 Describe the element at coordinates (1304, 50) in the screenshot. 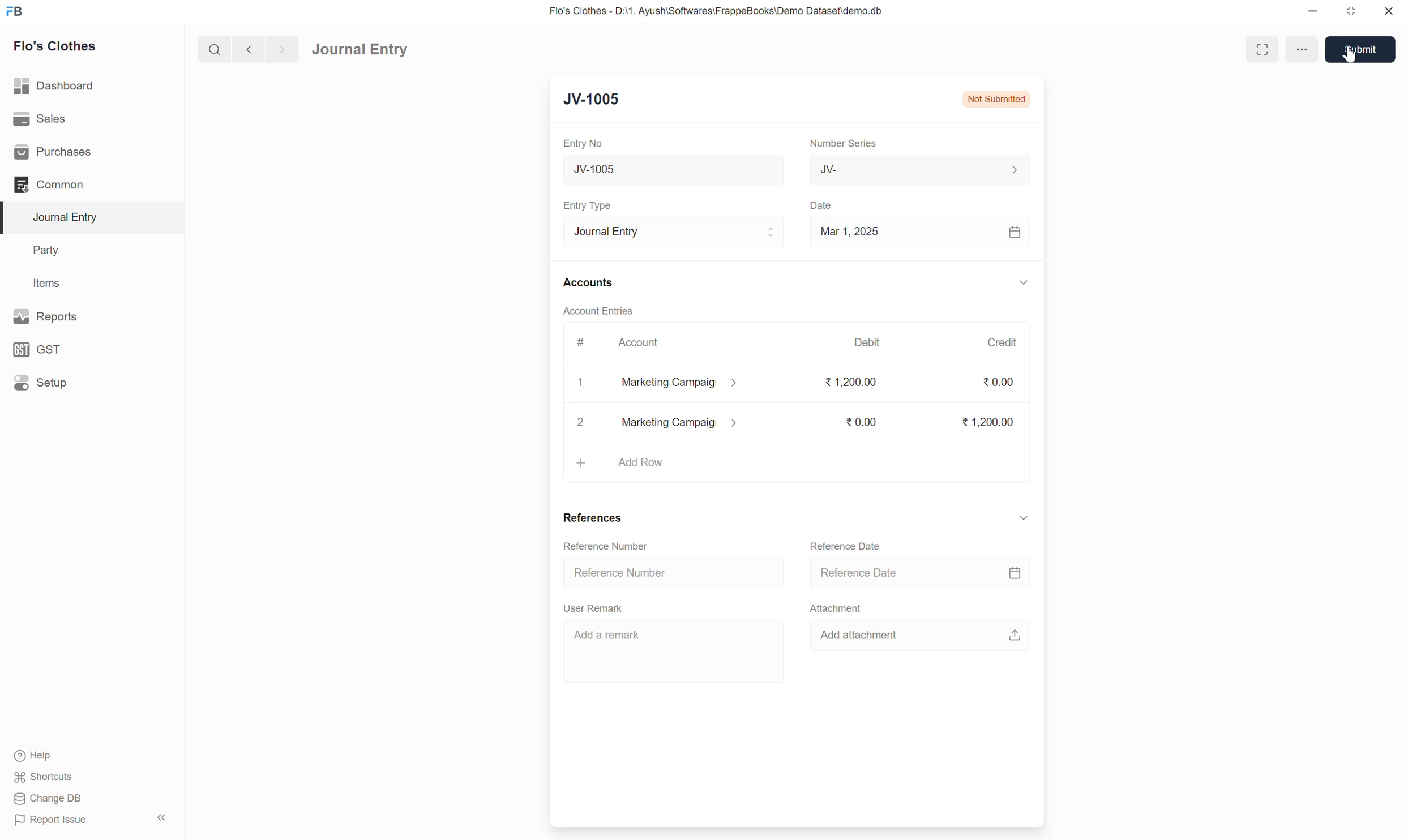

I see `options` at that location.